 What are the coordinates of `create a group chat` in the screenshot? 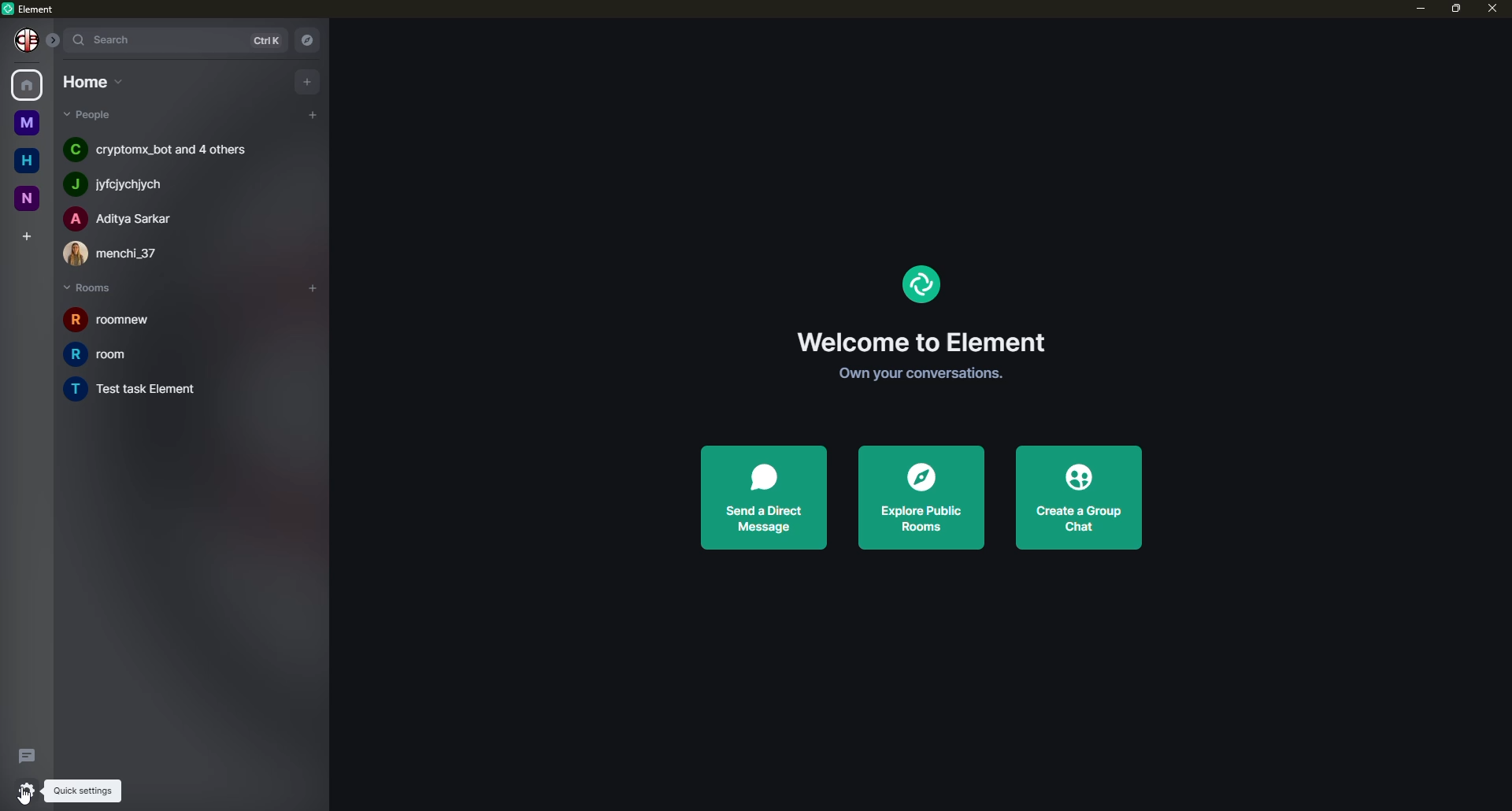 It's located at (1082, 498).